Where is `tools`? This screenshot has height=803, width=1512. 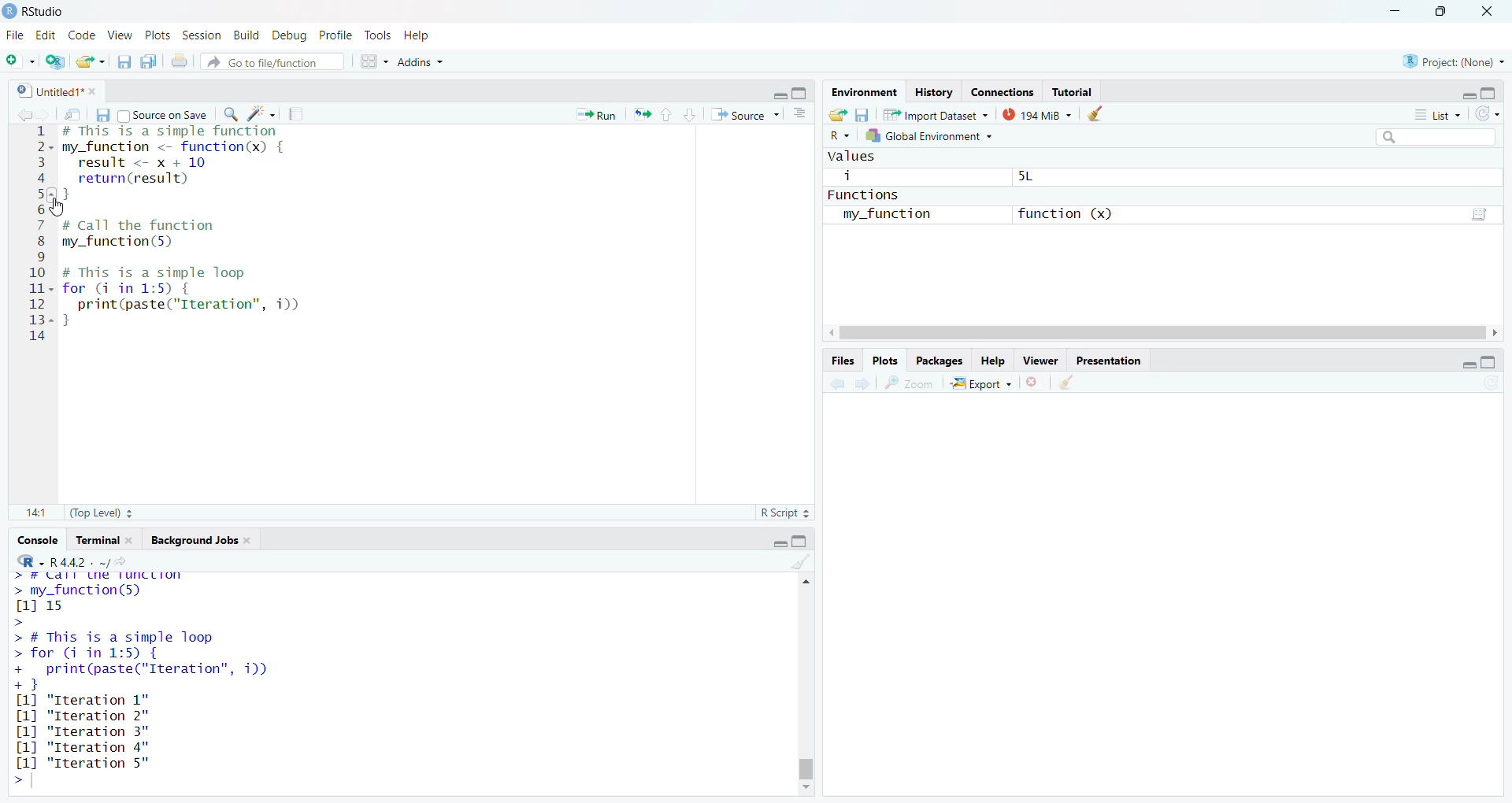
tools is located at coordinates (380, 35).